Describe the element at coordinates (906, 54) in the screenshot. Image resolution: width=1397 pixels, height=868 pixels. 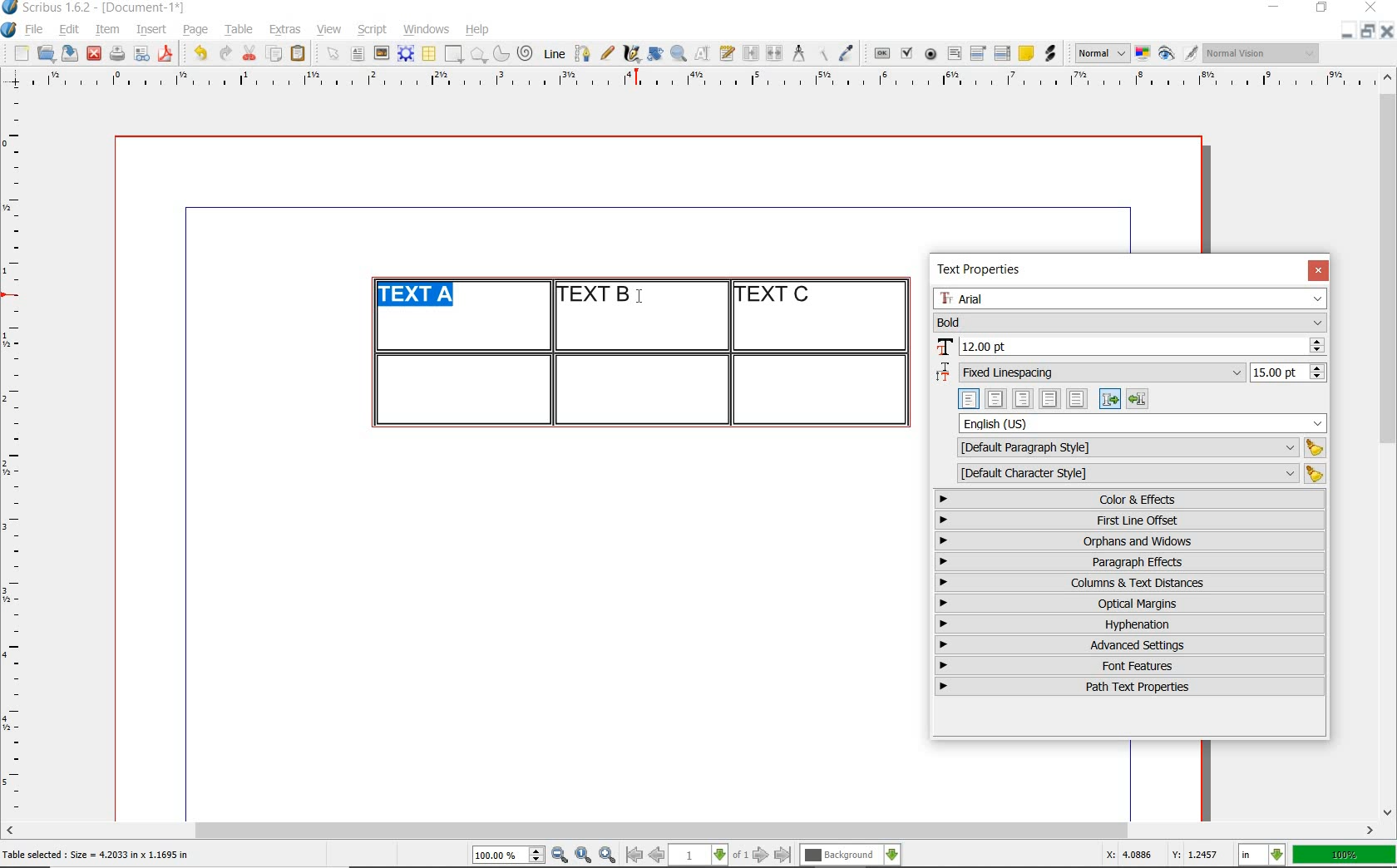
I see `pdf check box` at that location.